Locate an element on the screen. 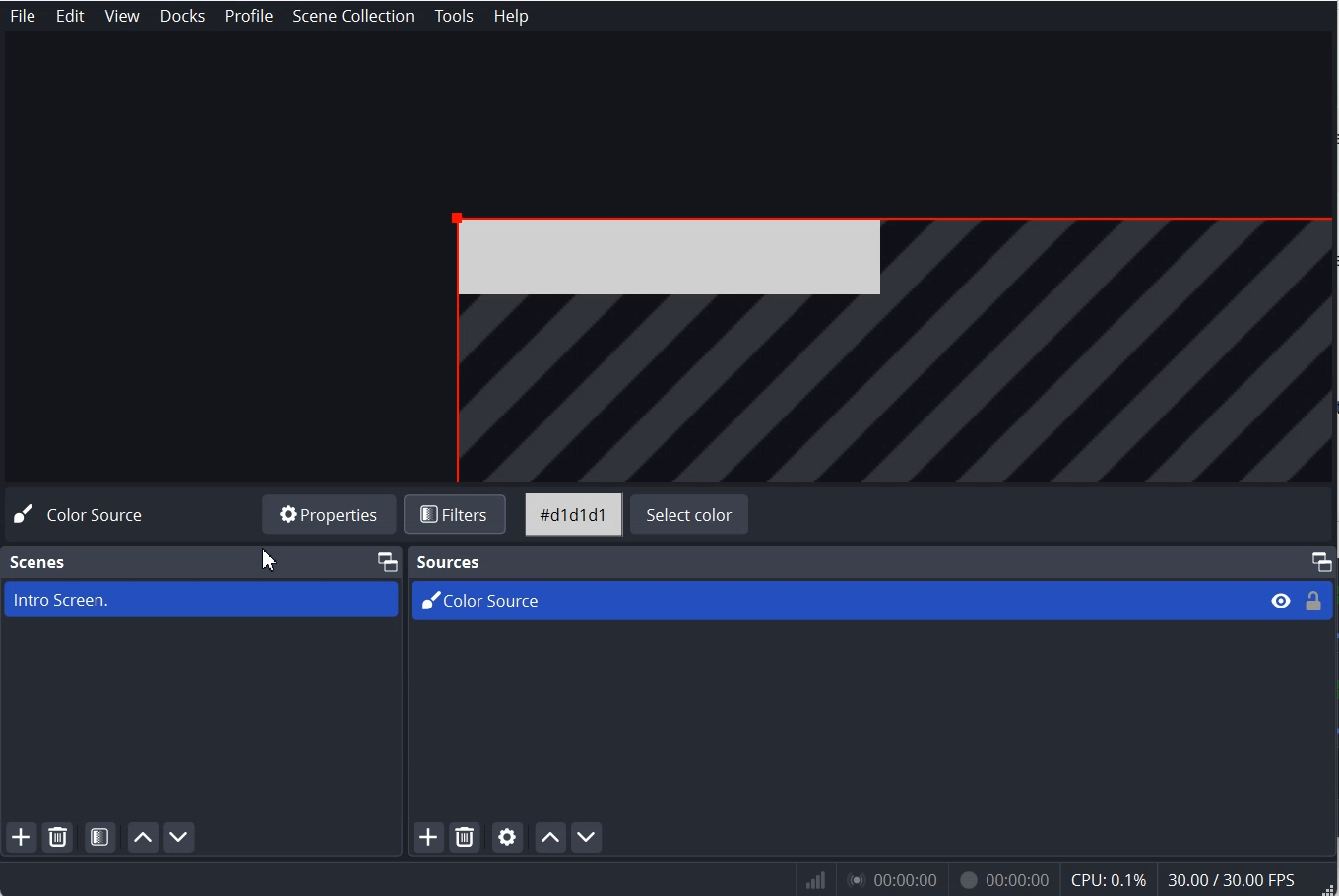 Image resolution: width=1339 pixels, height=896 pixels. Add Source is located at coordinates (426, 839).